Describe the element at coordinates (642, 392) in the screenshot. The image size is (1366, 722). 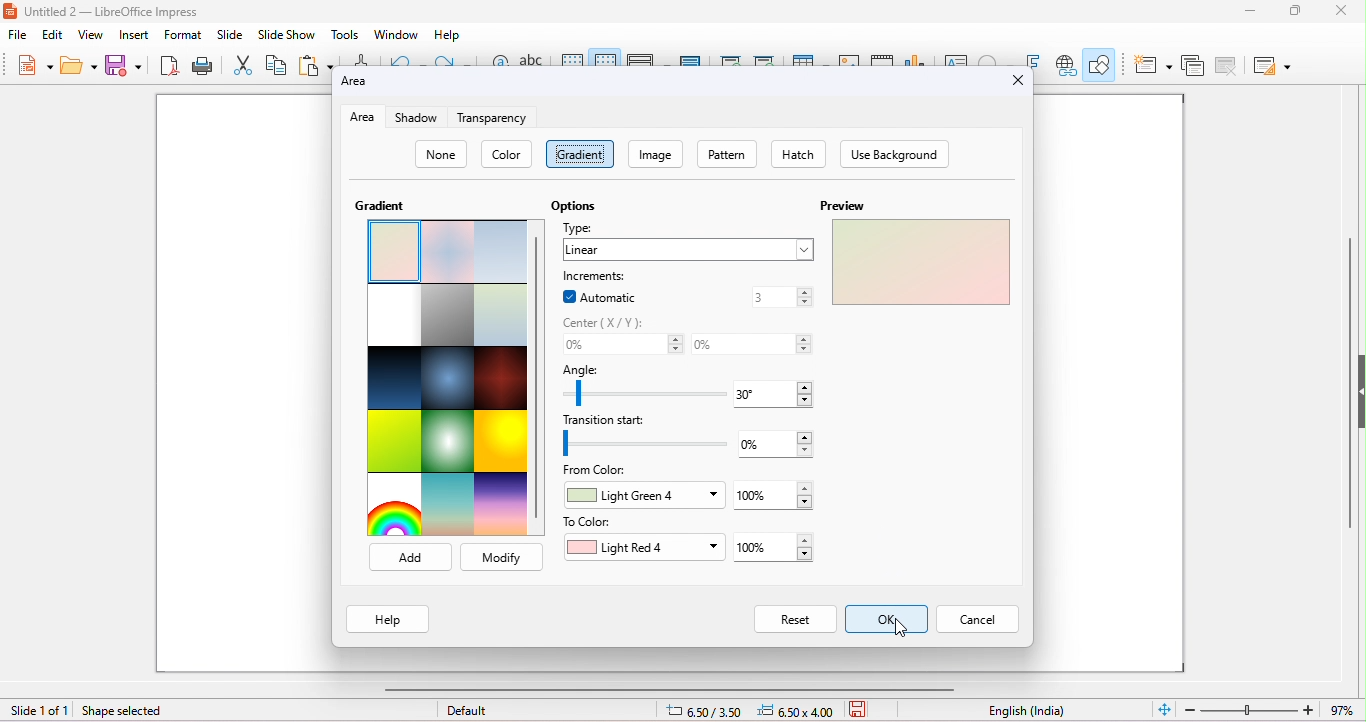
I see `adjust angle` at that location.